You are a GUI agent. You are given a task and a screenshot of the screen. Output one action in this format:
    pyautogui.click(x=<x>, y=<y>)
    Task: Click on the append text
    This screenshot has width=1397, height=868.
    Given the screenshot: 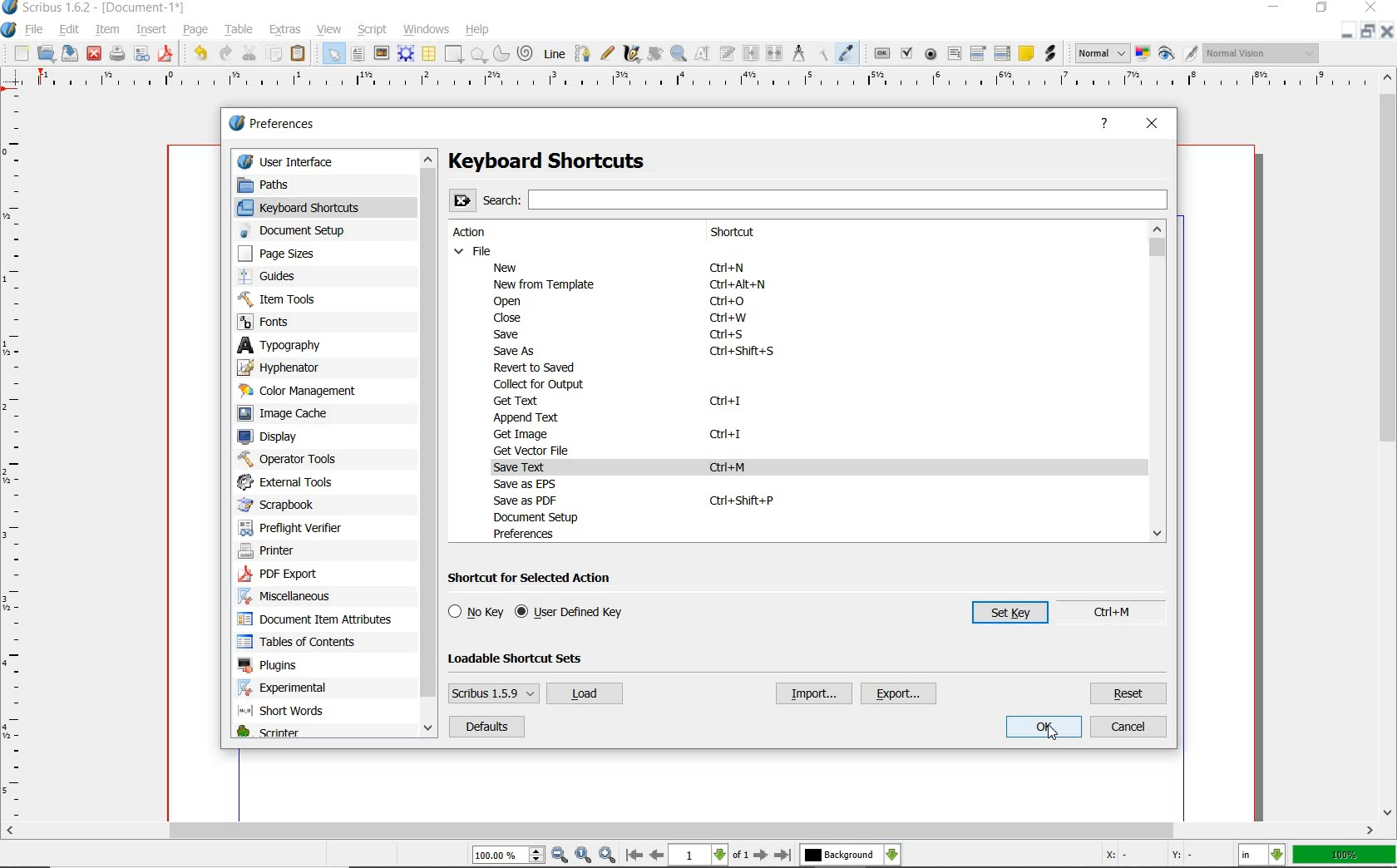 What is the action you would take?
    pyautogui.click(x=525, y=417)
    